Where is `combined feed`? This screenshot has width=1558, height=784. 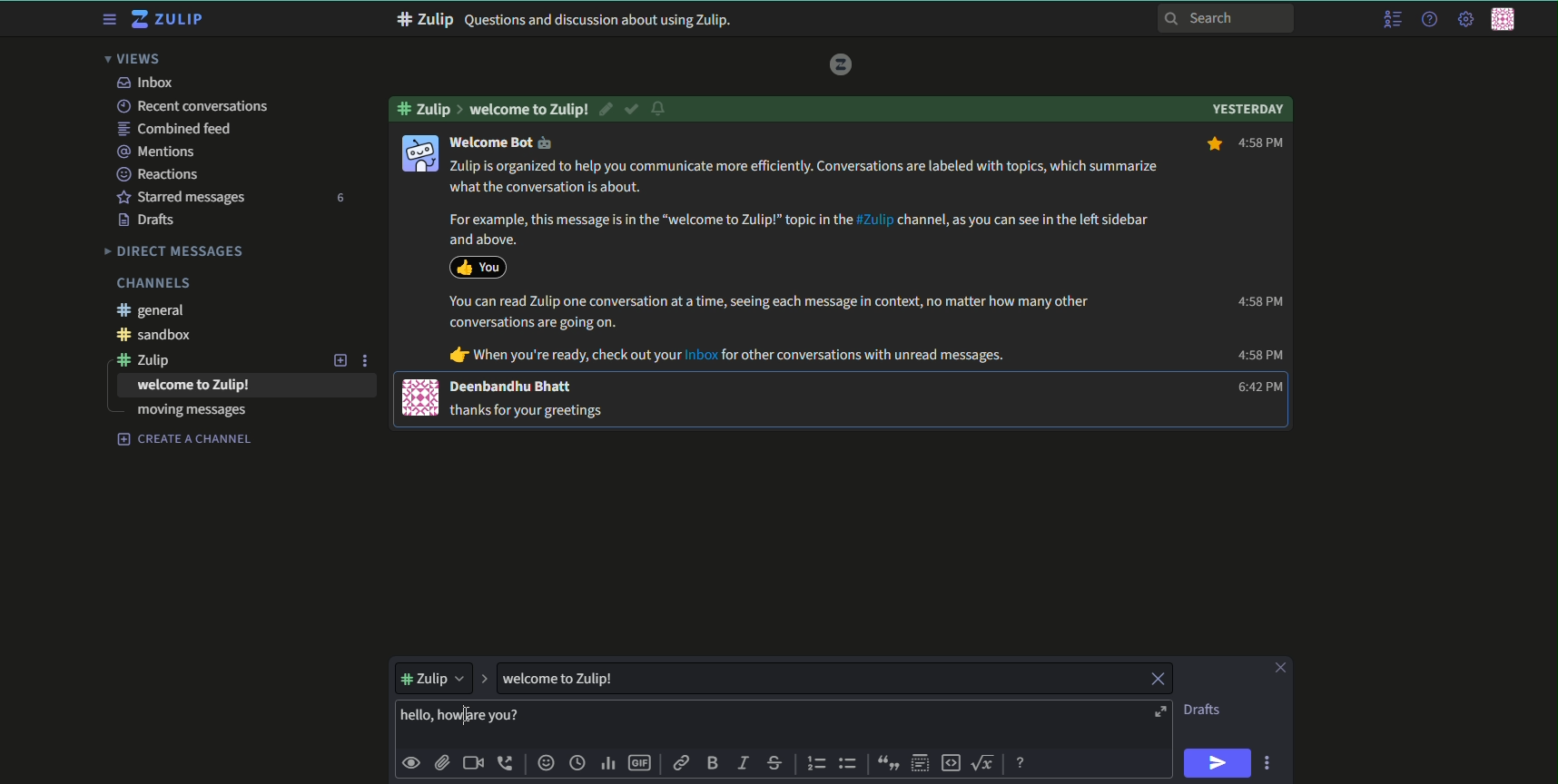 combined feed is located at coordinates (177, 129).